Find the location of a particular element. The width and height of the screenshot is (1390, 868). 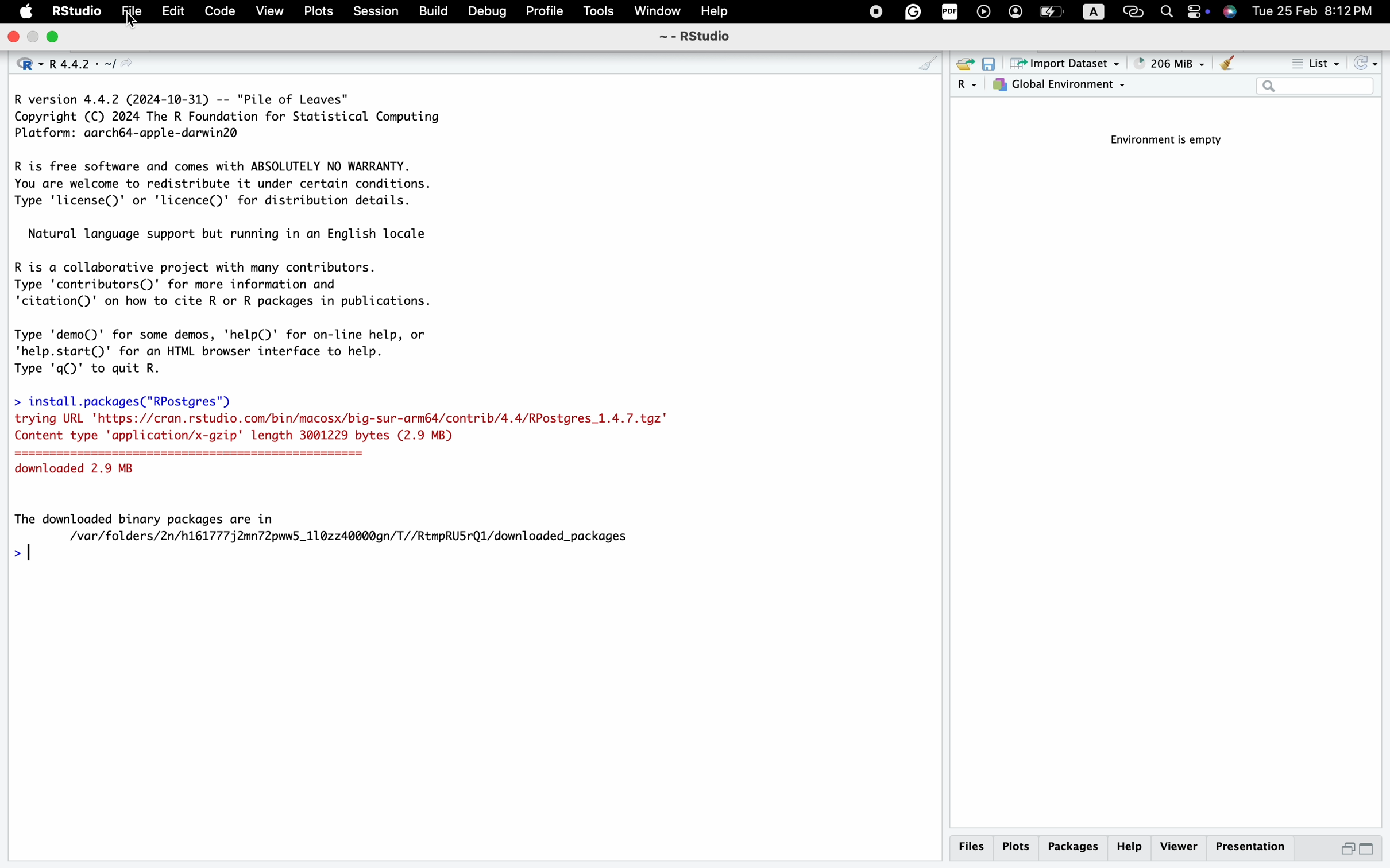

maximize is located at coordinates (1374, 850).